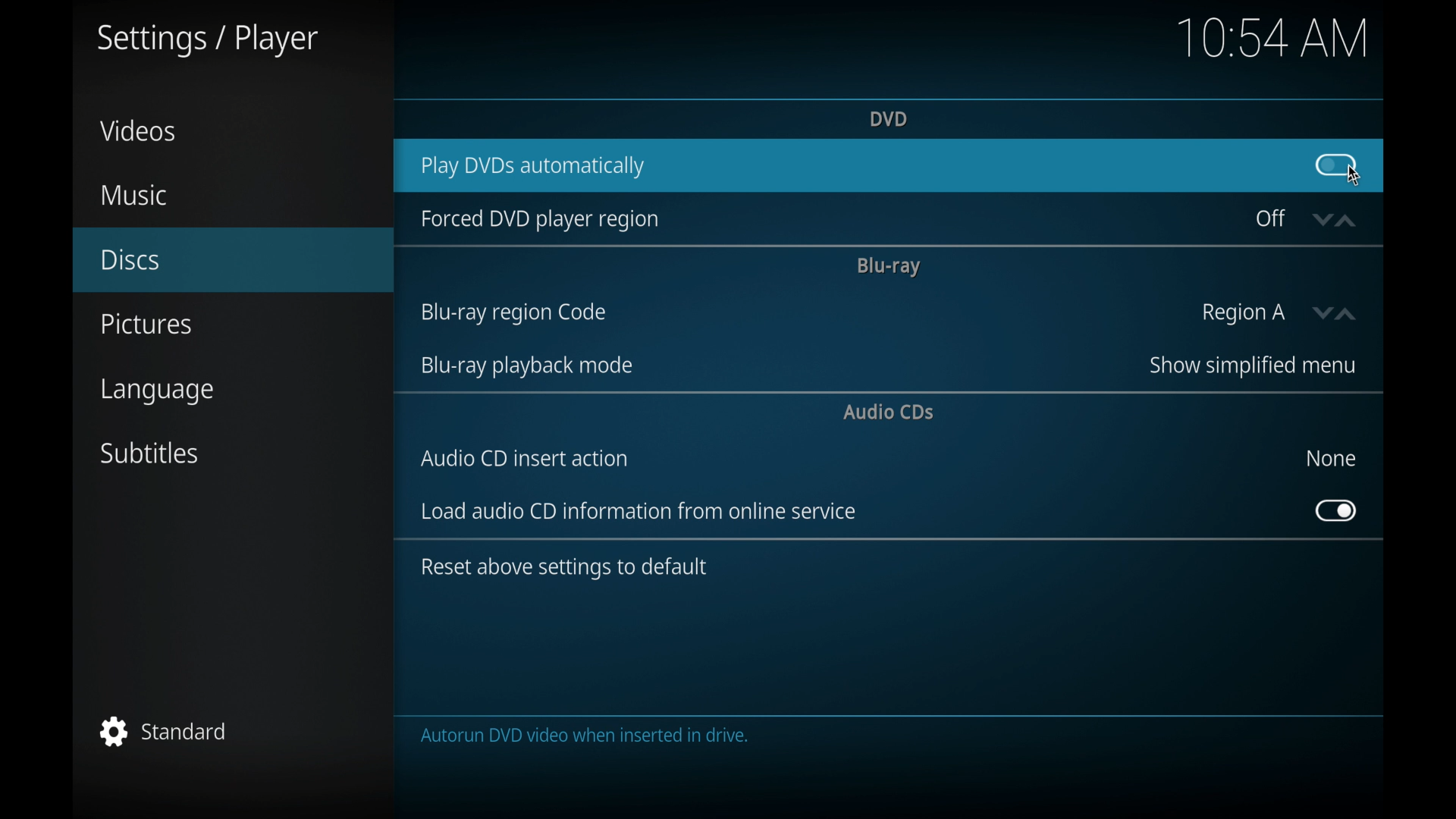 Image resolution: width=1456 pixels, height=819 pixels. I want to click on off, so click(1271, 218).